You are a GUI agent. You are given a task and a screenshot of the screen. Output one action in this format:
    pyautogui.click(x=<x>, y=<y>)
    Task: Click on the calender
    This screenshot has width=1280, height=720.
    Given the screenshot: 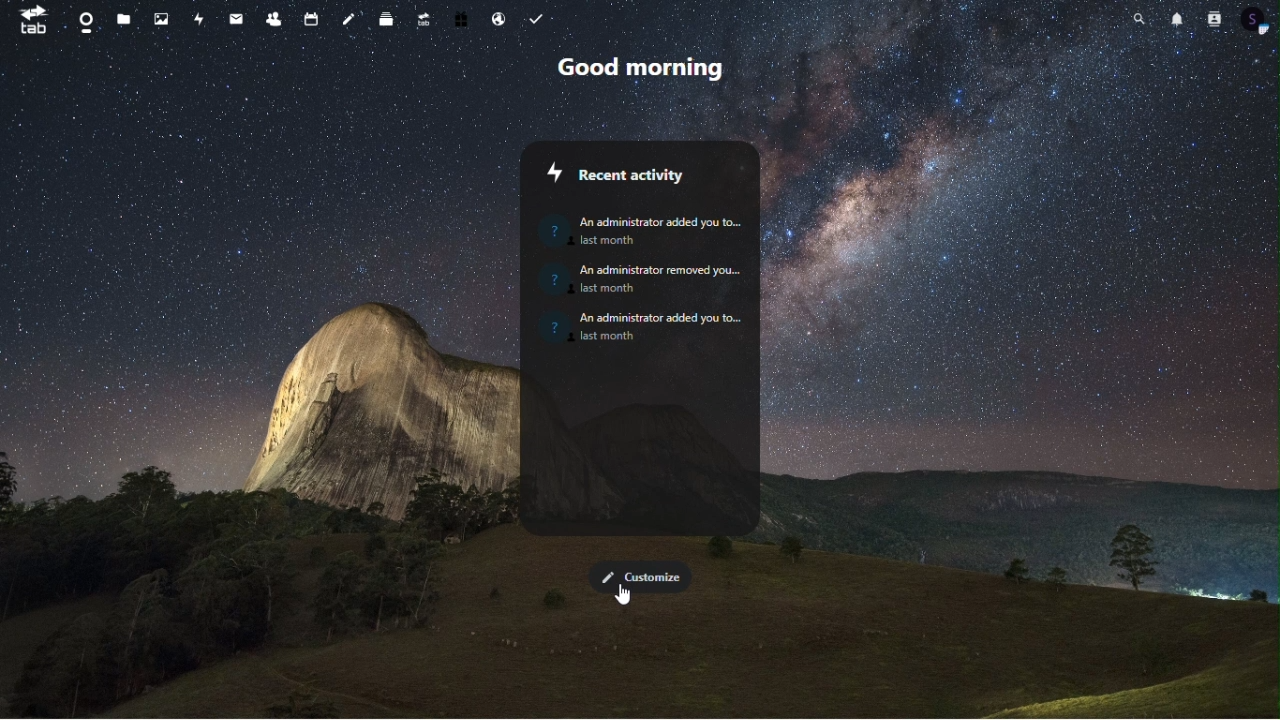 What is the action you would take?
    pyautogui.click(x=316, y=16)
    